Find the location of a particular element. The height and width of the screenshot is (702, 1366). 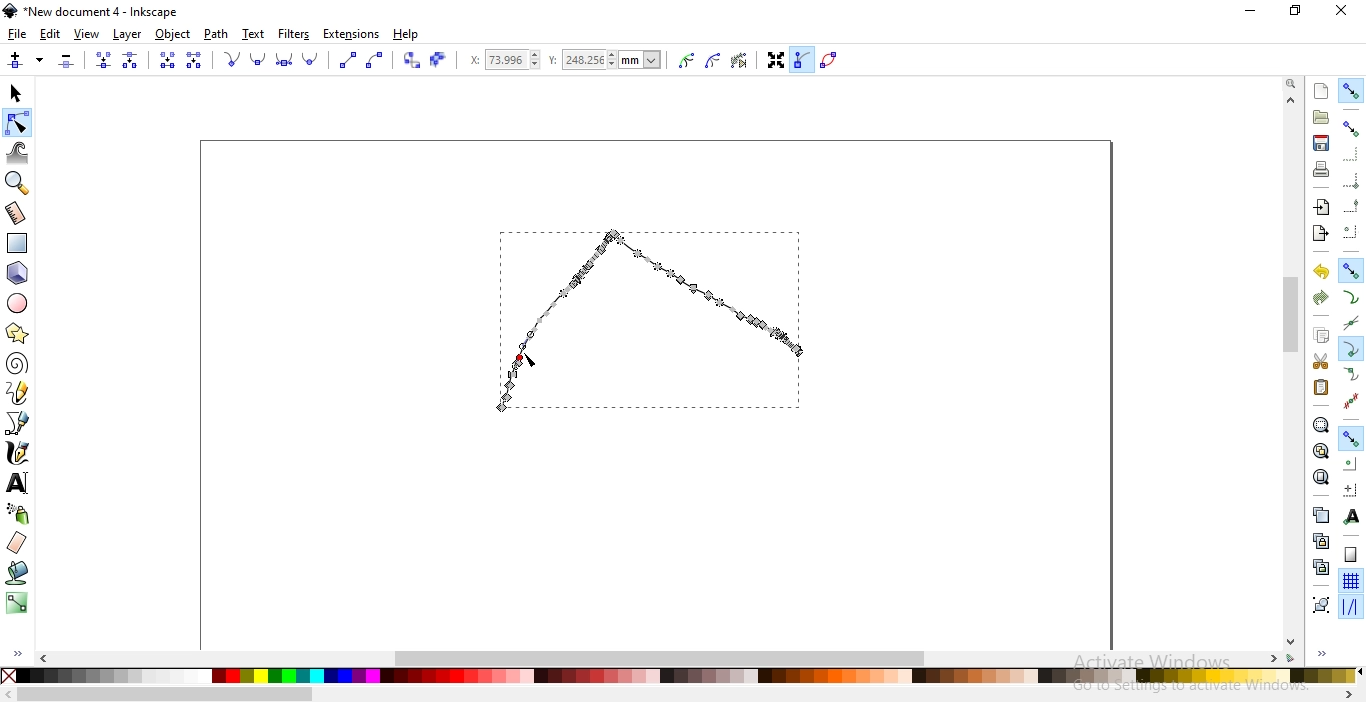

snap to paths is located at coordinates (1350, 297).